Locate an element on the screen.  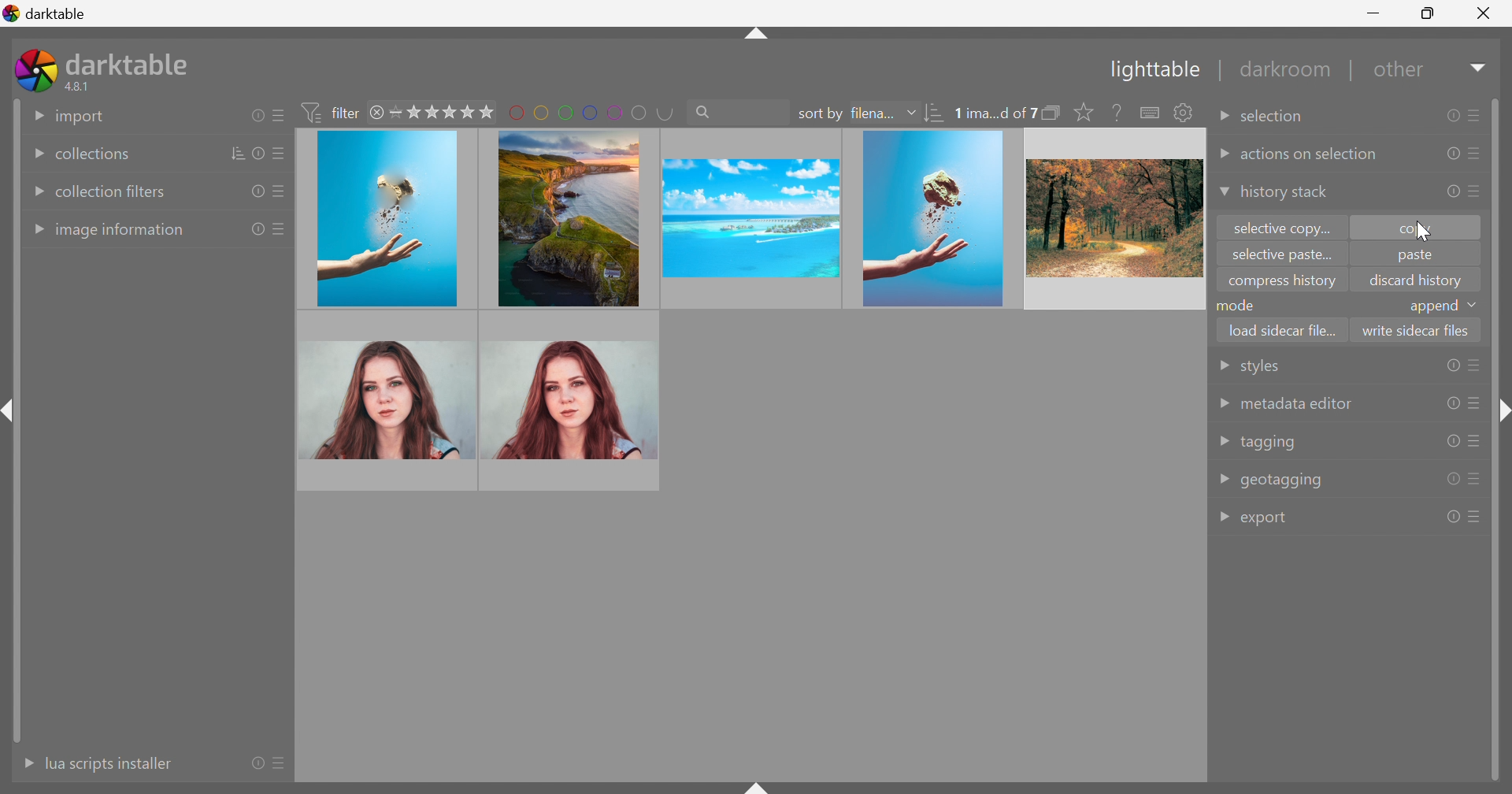
cursor is located at coordinates (1424, 232).